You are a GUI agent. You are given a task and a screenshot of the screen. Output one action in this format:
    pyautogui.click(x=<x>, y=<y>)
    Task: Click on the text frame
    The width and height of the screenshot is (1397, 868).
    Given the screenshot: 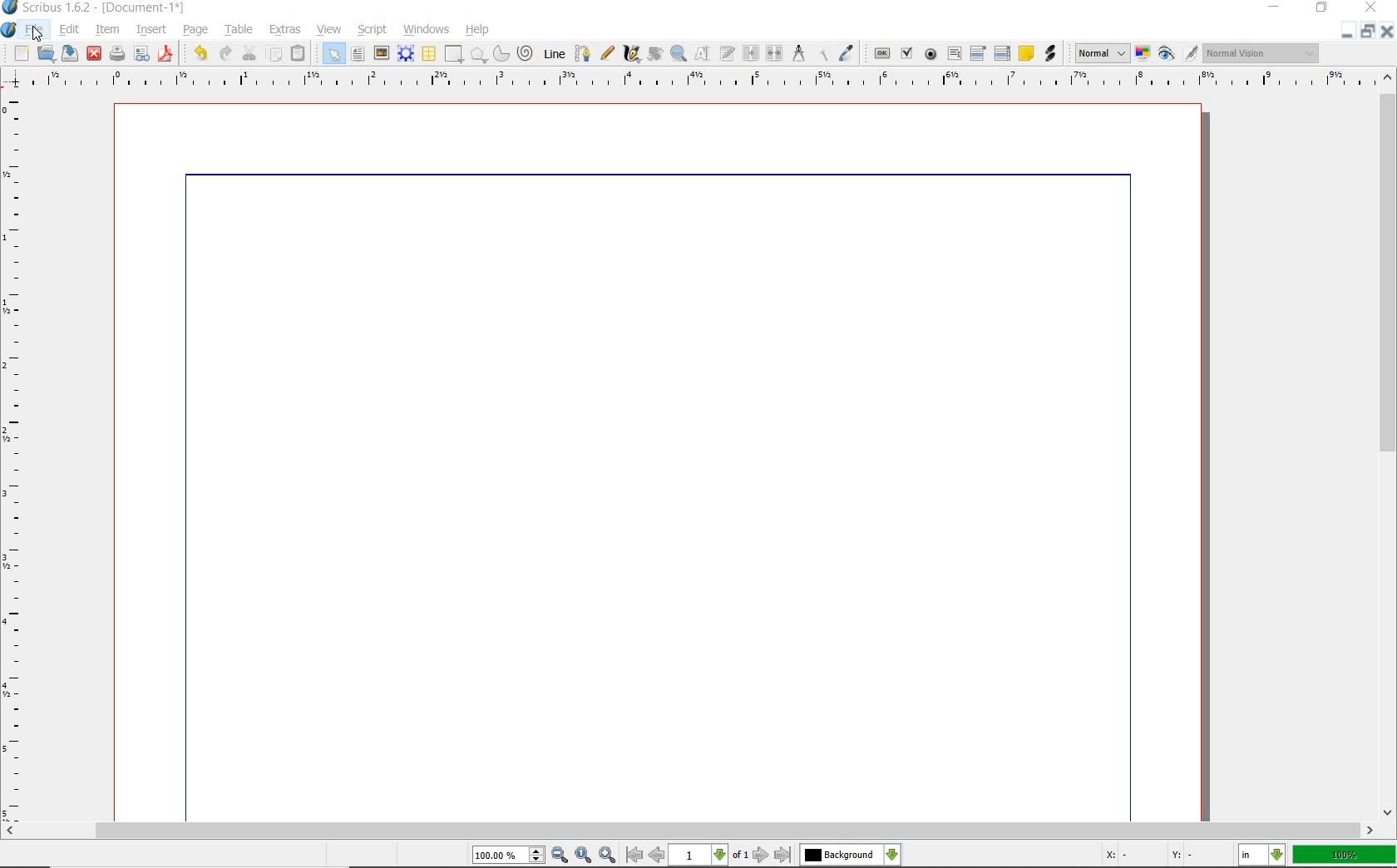 What is the action you would take?
    pyautogui.click(x=358, y=54)
    